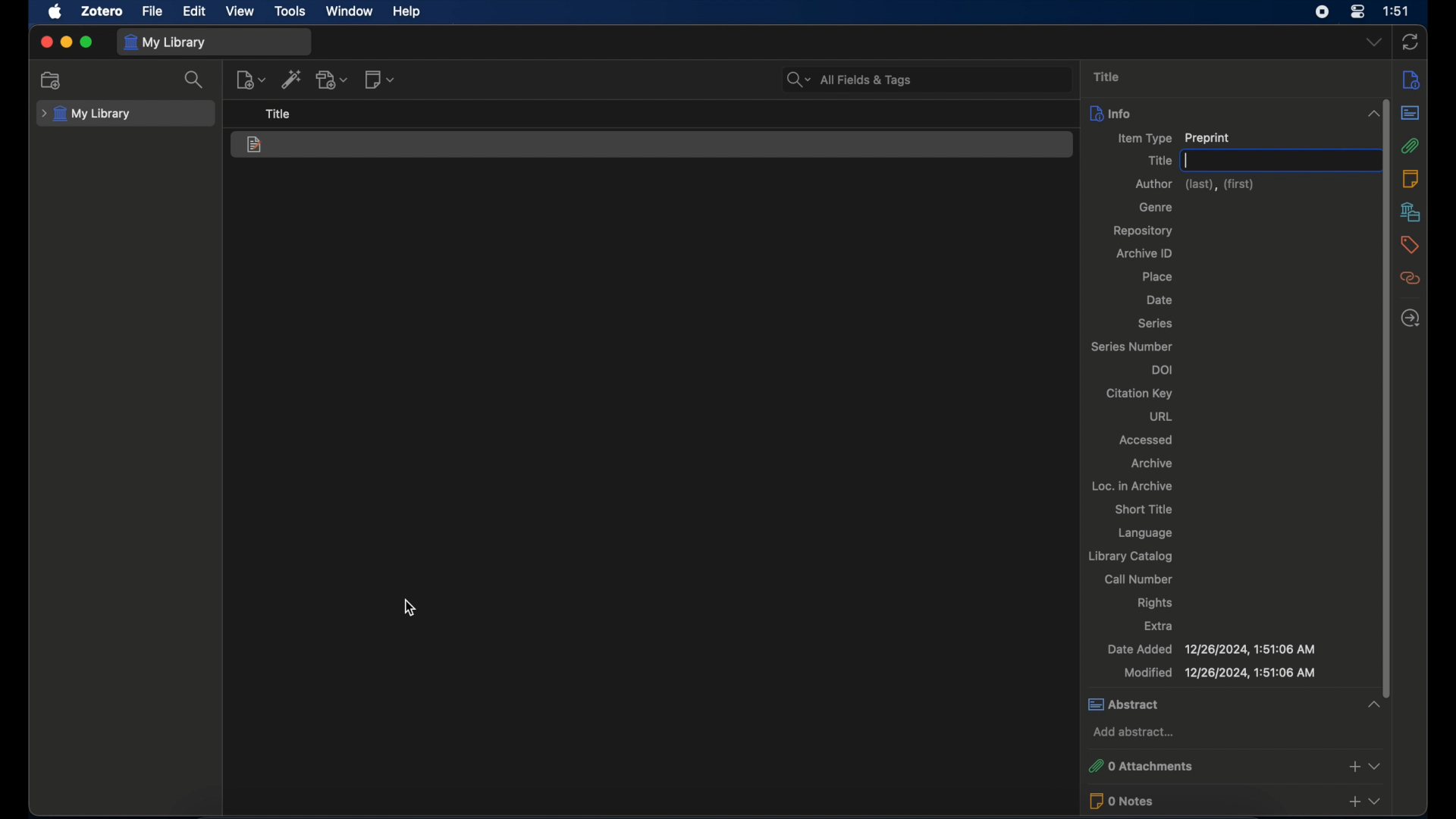 The height and width of the screenshot is (819, 1456). Describe the element at coordinates (250, 79) in the screenshot. I see `new item` at that location.